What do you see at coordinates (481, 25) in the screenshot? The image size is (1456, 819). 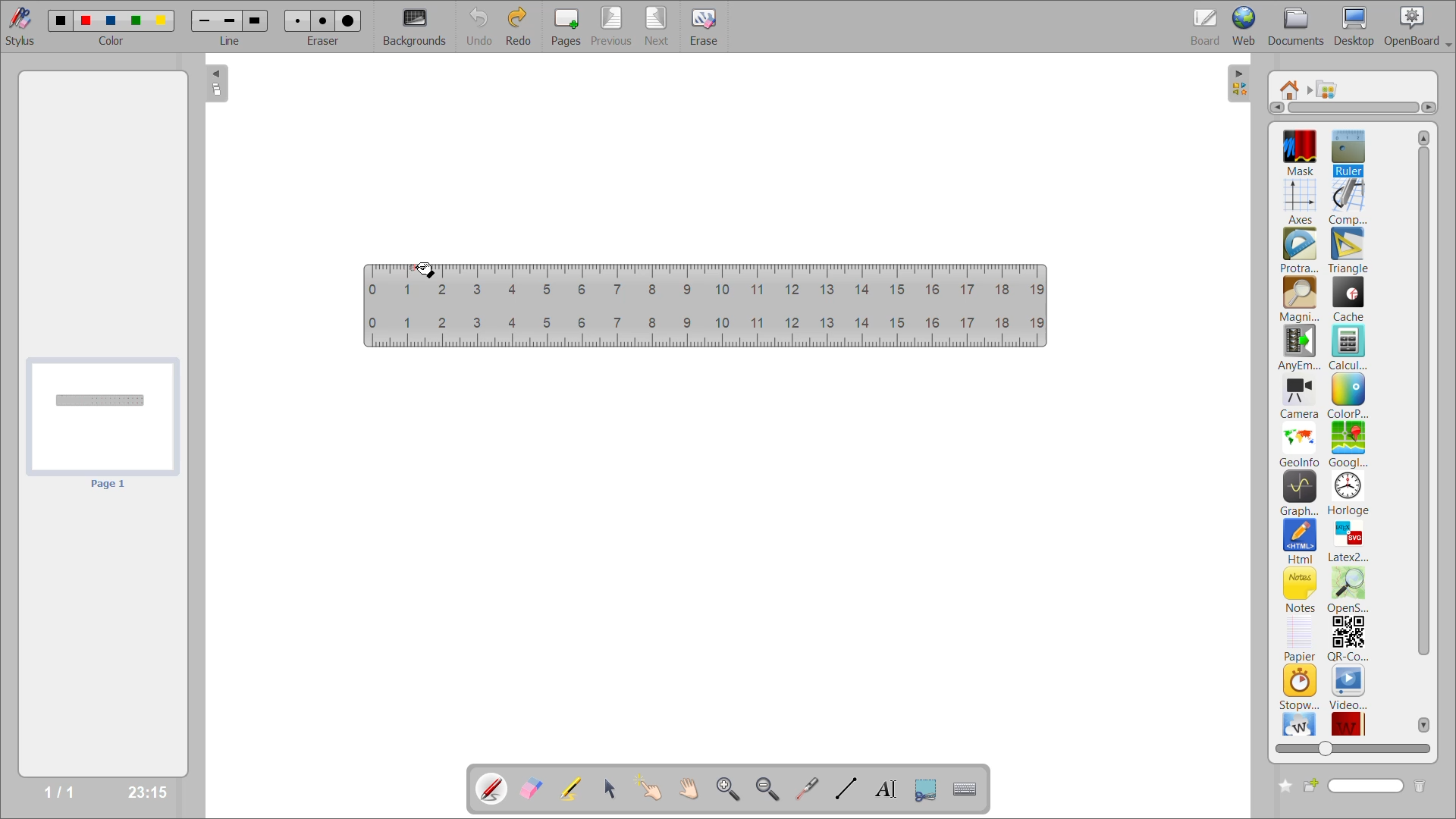 I see `undo` at bounding box center [481, 25].